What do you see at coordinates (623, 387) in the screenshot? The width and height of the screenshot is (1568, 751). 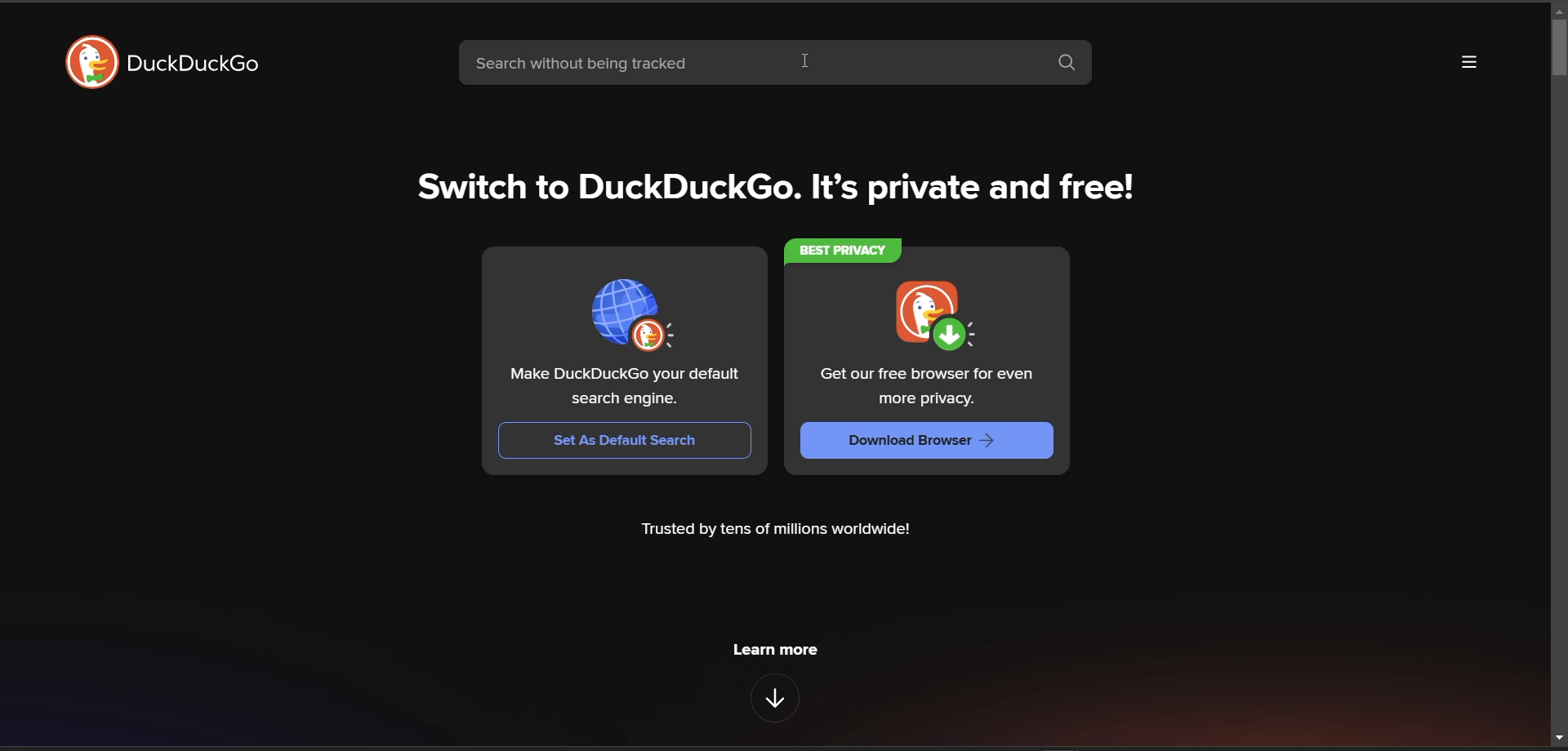 I see `Make DuckDuckGo your default
search engine.` at bounding box center [623, 387].